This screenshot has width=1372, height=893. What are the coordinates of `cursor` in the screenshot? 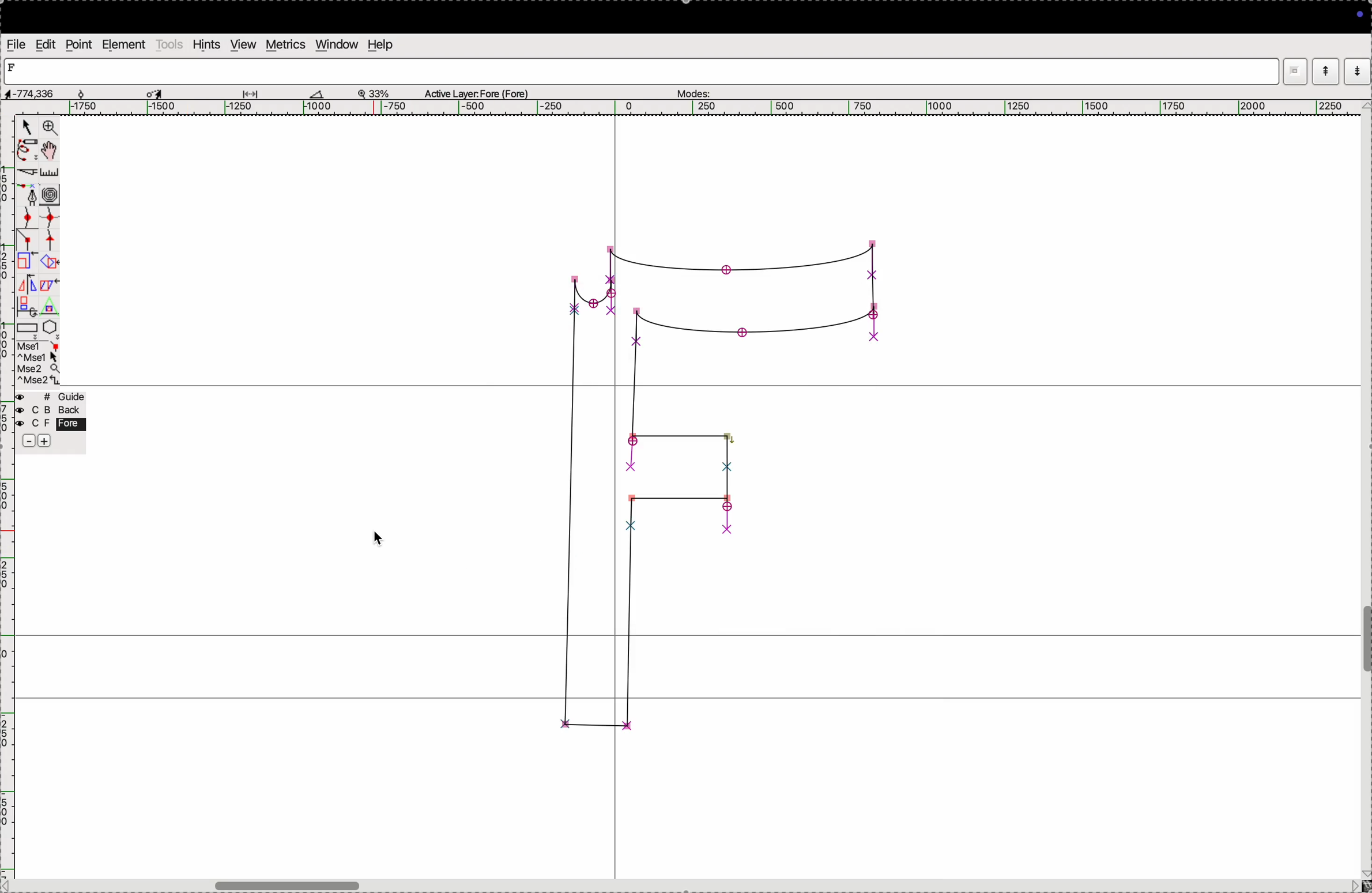 It's located at (378, 539).